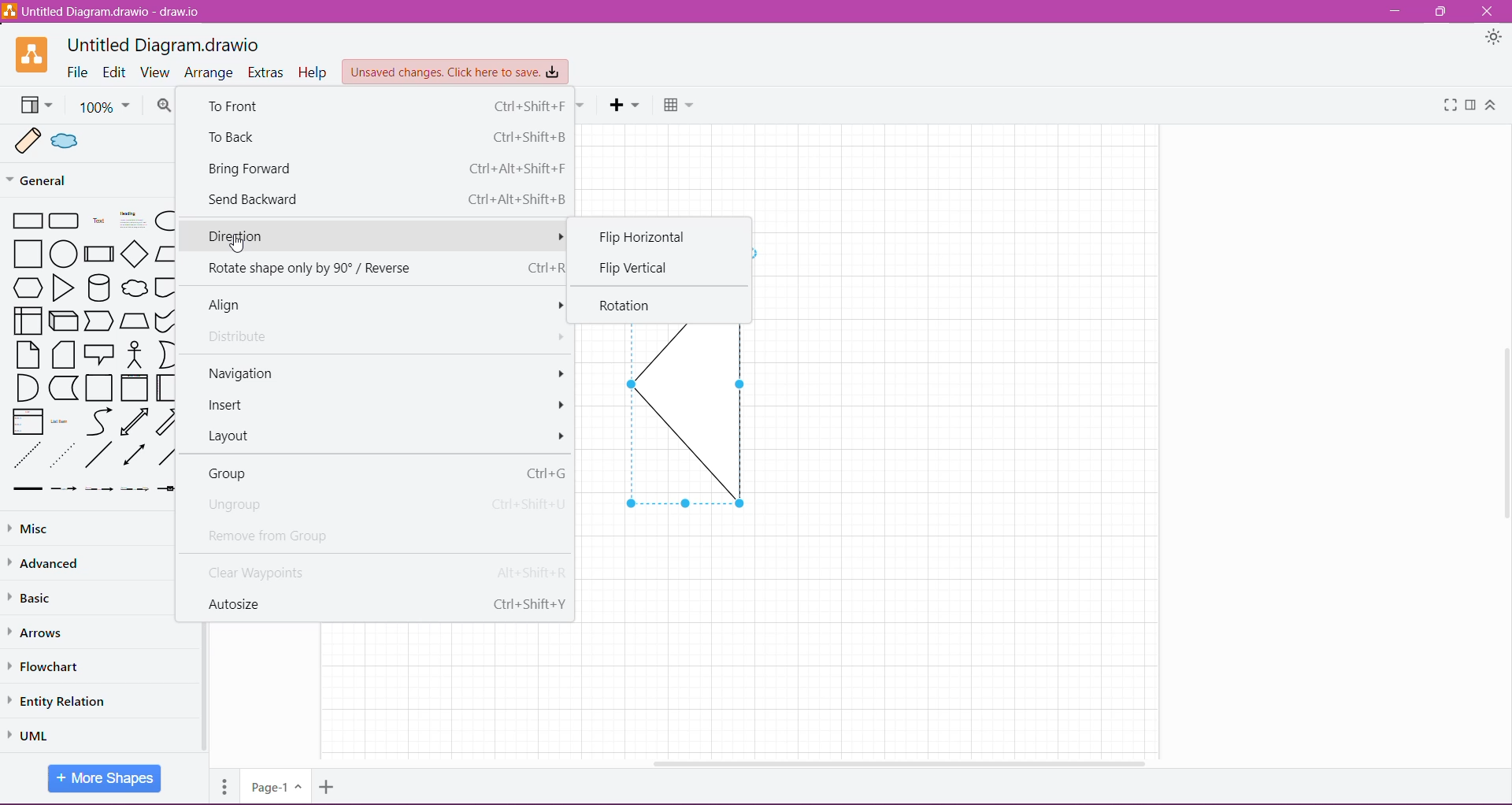  I want to click on Clear Waypoints Alt+Shift+R, so click(387, 576).